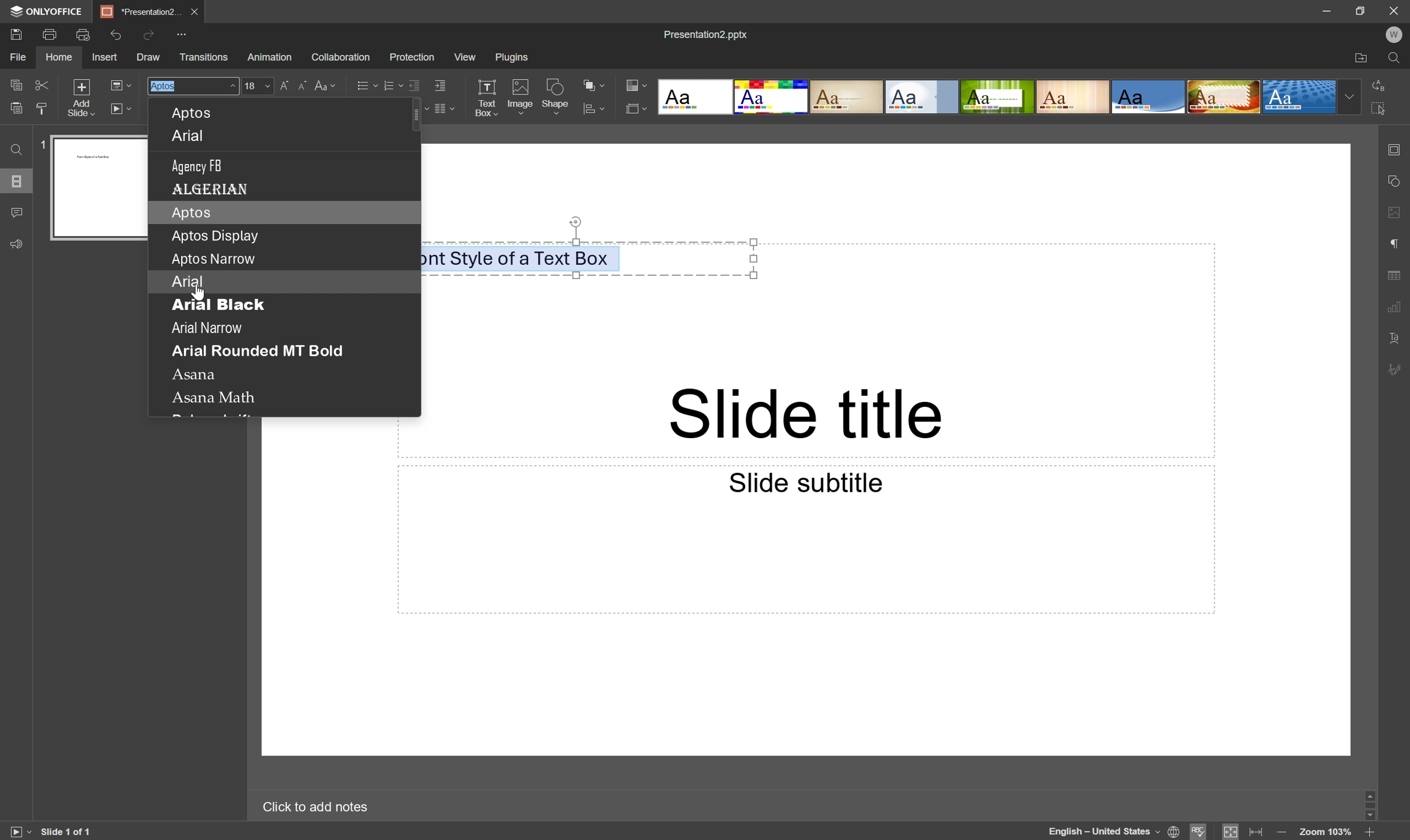  Describe the element at coordinates (302, 83) in the screenshot. I see `Decrement font size` at that location.